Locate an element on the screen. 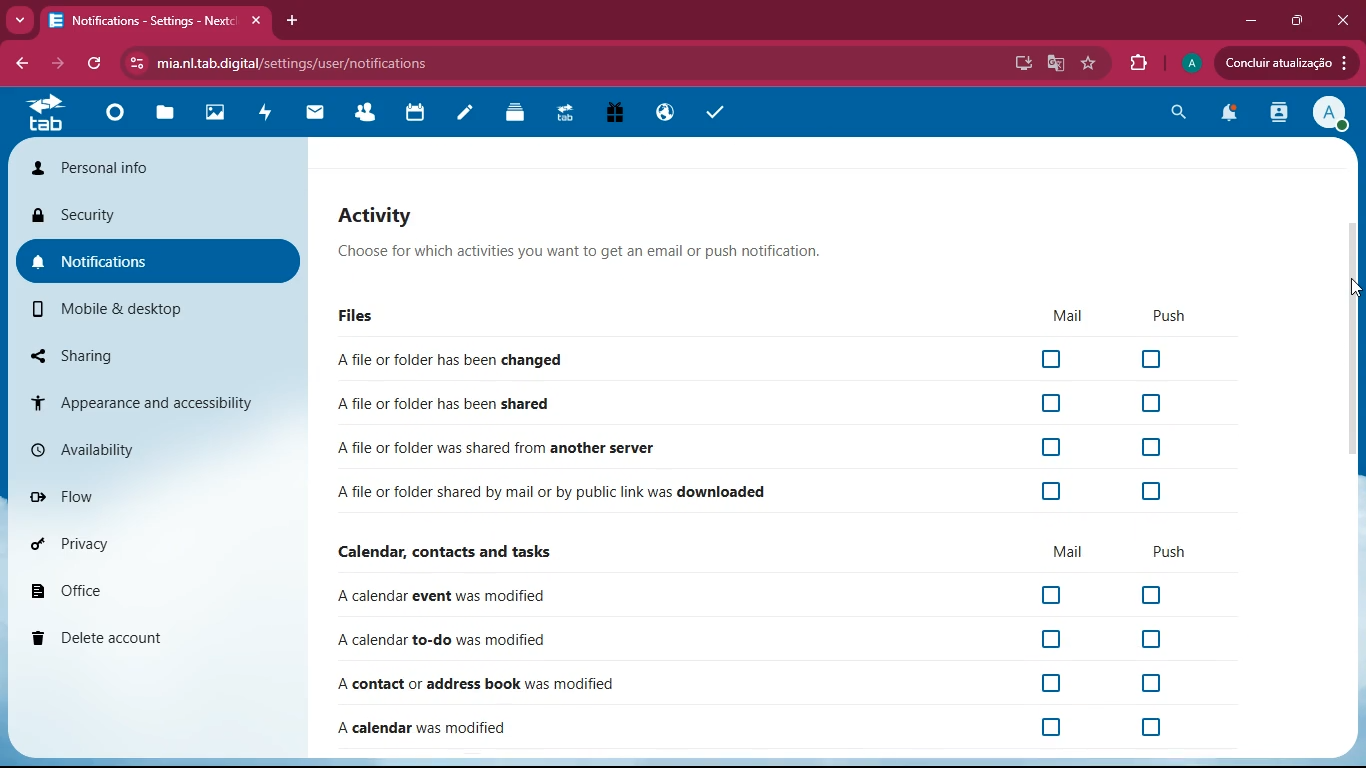 The width and height of the screenshot is (1366, 768). close is located at coordinates (1346, 20).